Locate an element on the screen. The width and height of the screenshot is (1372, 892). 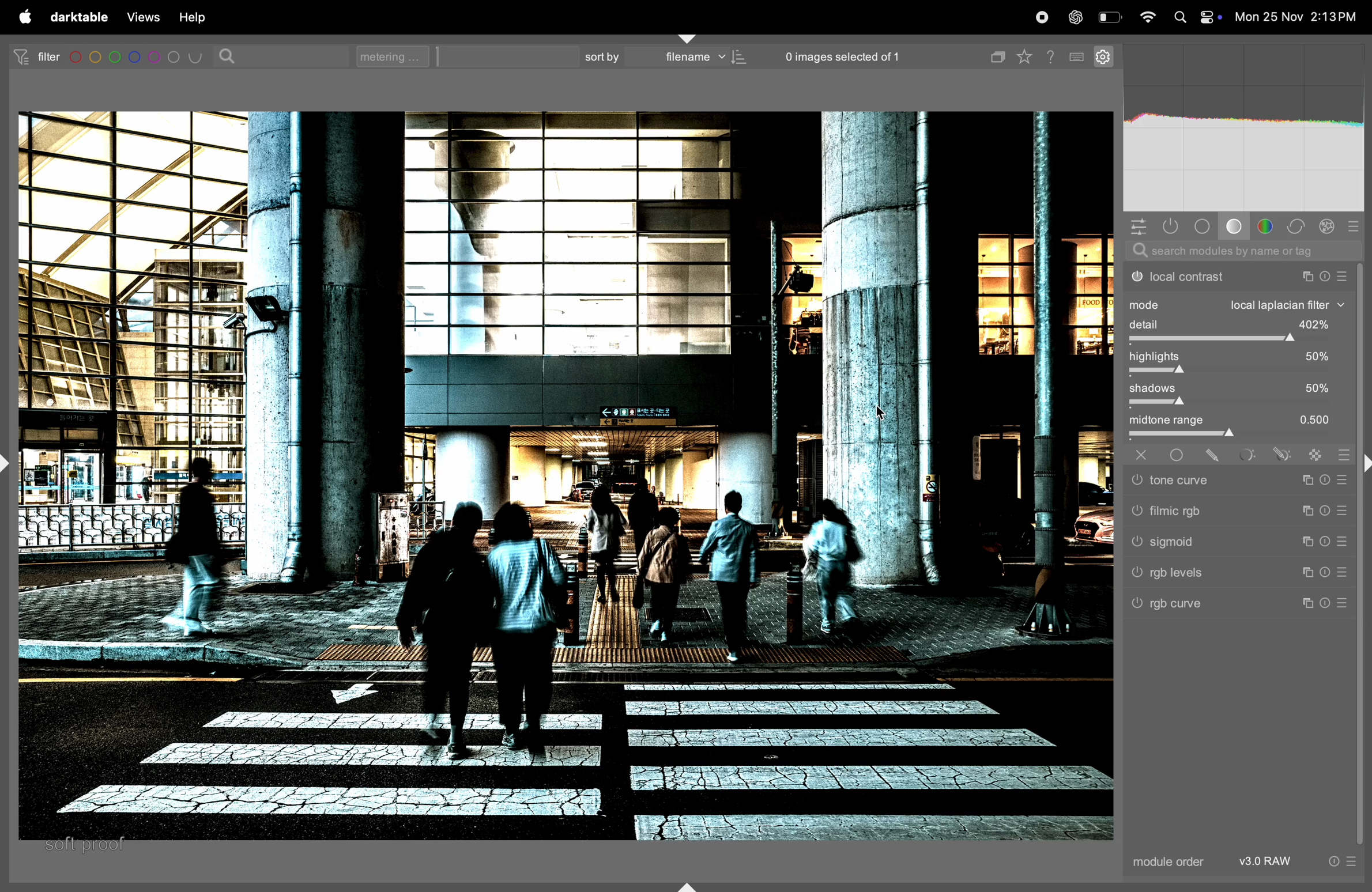
toggle is located at coordinates (1240, 342).